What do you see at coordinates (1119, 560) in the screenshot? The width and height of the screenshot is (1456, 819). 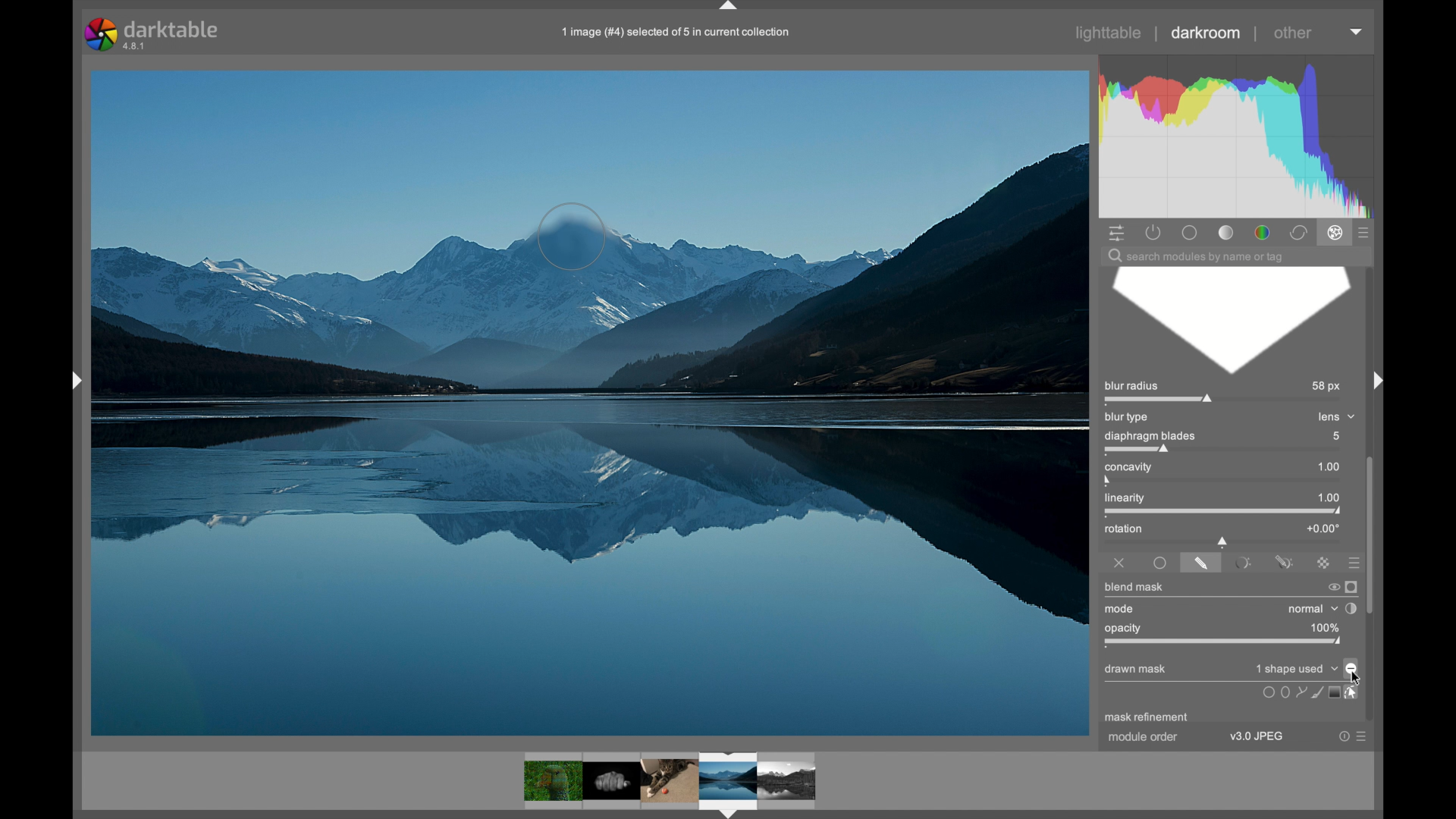 I see `off` at bounding box center [1119, 560].